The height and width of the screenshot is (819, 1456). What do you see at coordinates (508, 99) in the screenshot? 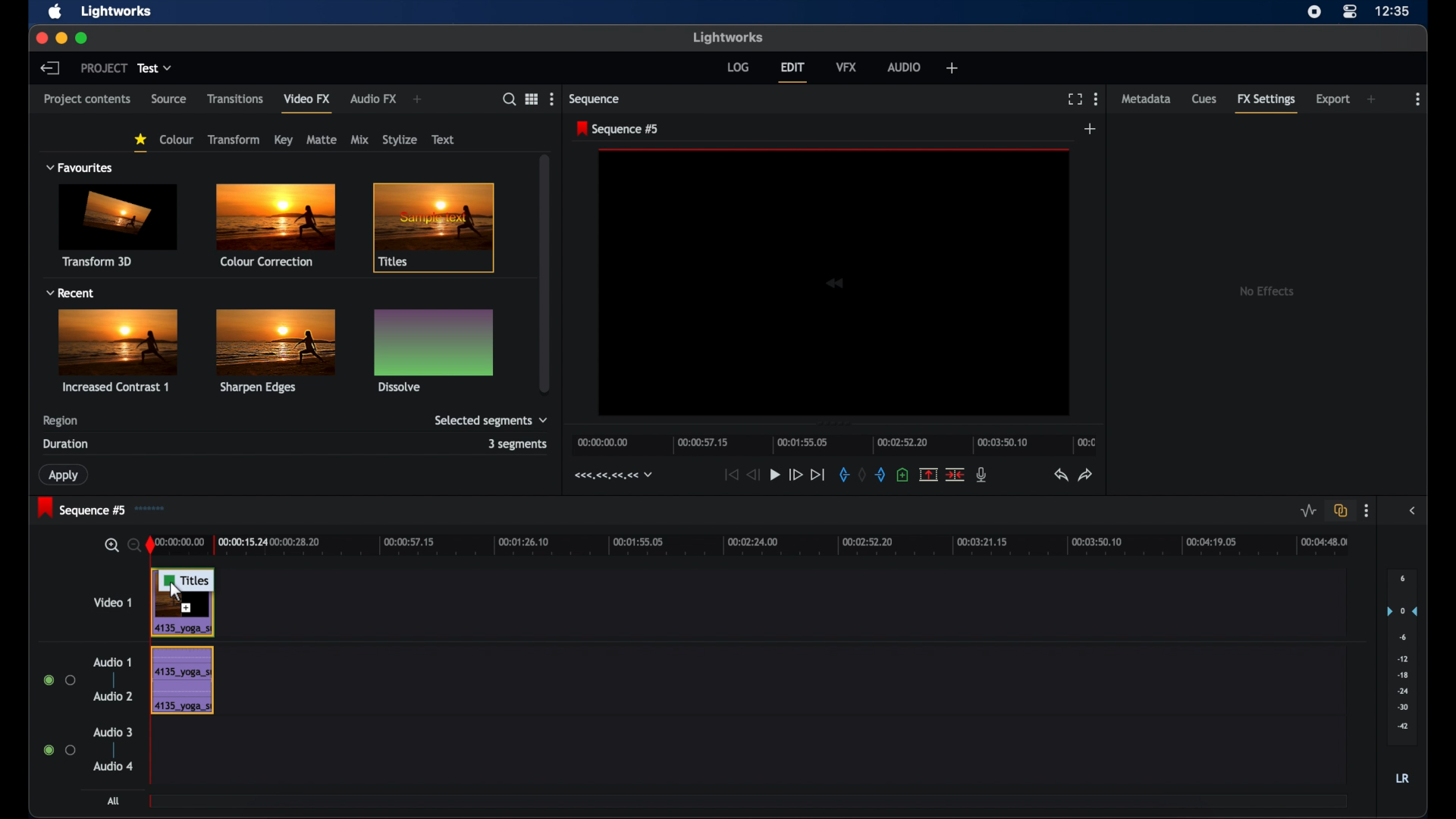
I see `search` at bounding box center [508, 99].